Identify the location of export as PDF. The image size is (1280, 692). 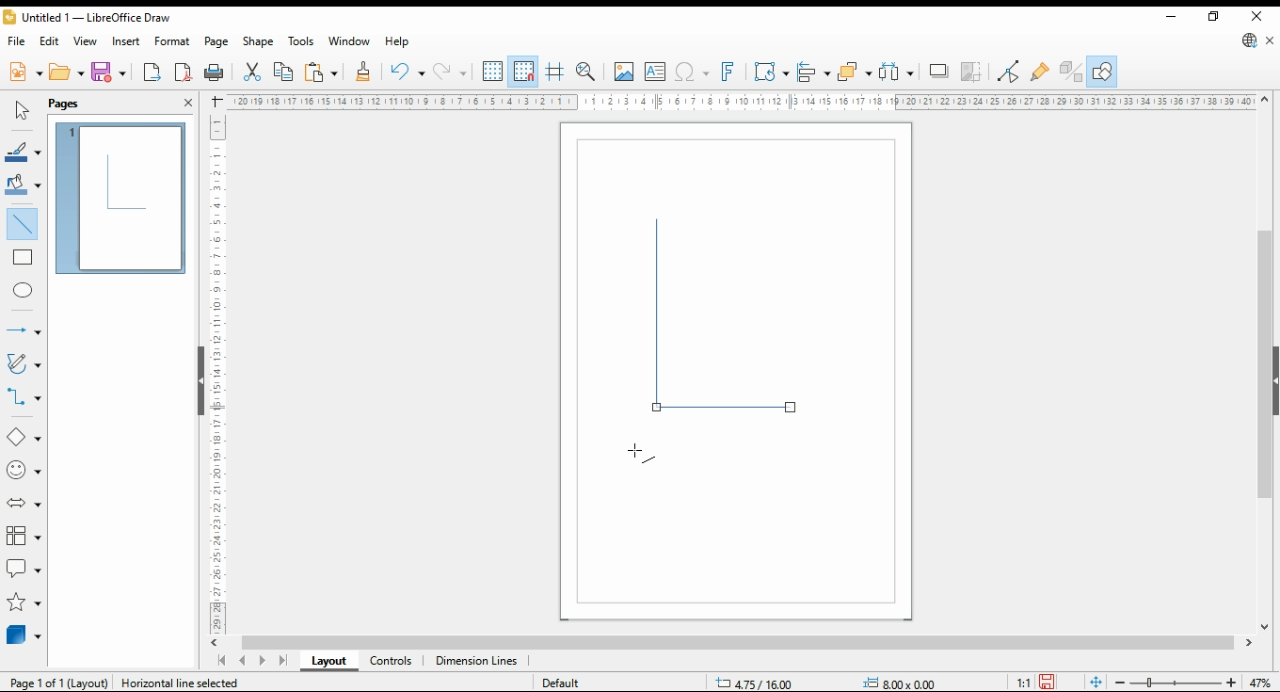
(183, 72).